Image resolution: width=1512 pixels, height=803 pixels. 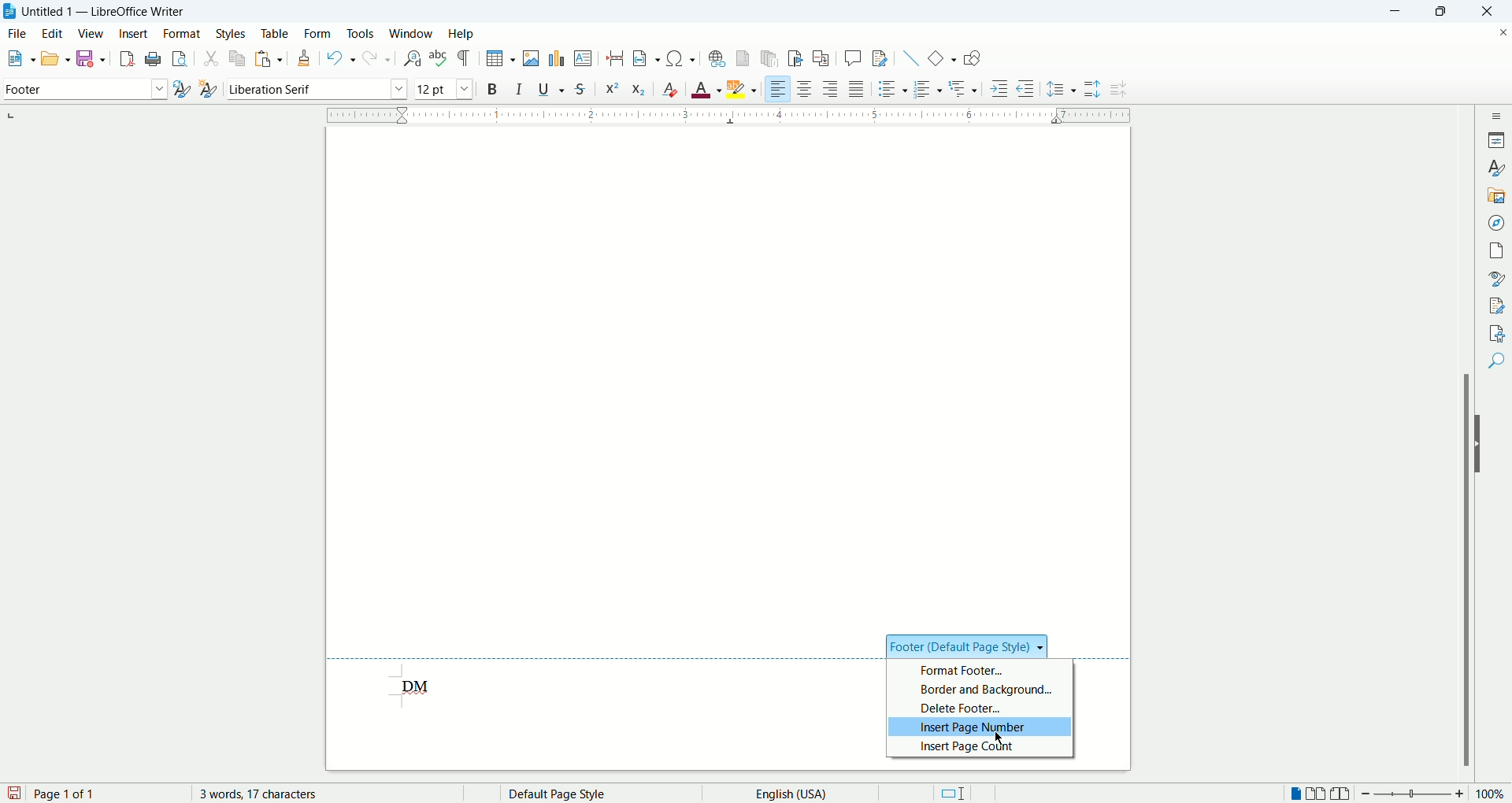 What do you see at coordinates (743, 90) in the screenshot?
I see `text highlighting` at bounding box center [743, 90].